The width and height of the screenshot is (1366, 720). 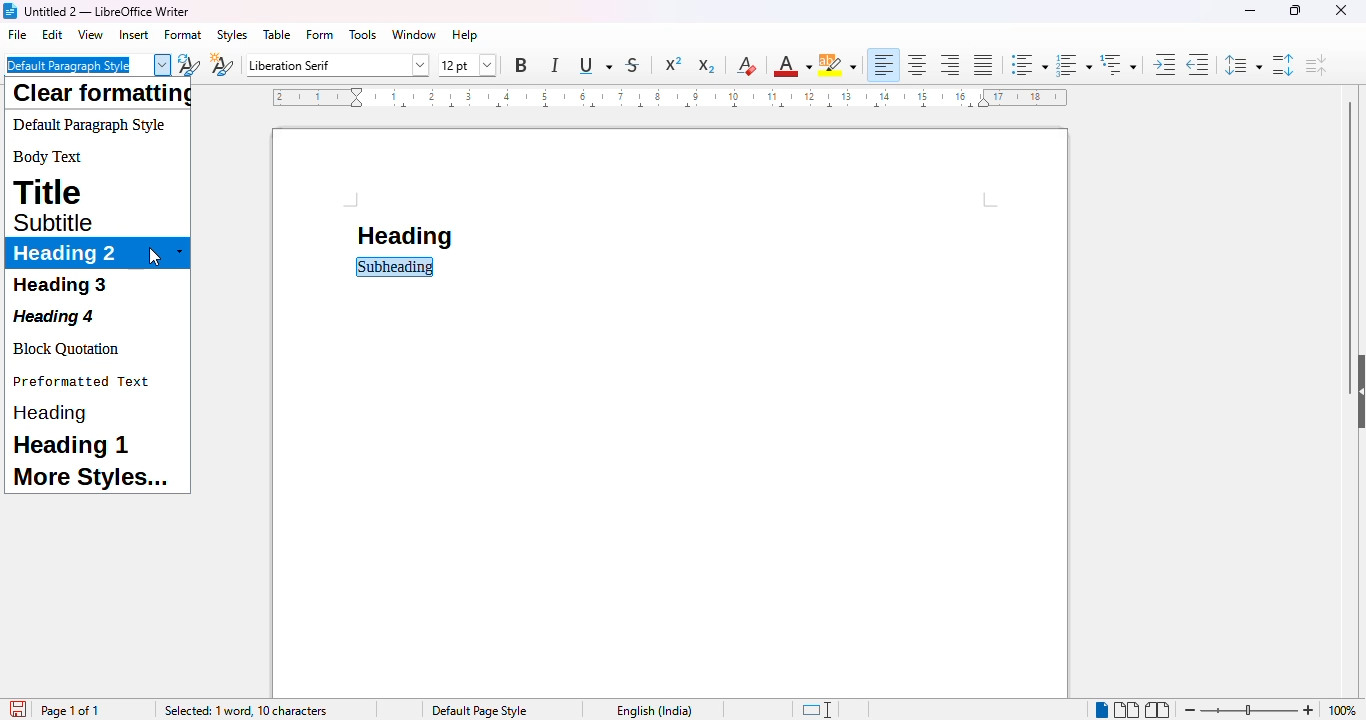 I want to click on preformatted text, so click(x=82, y=382).